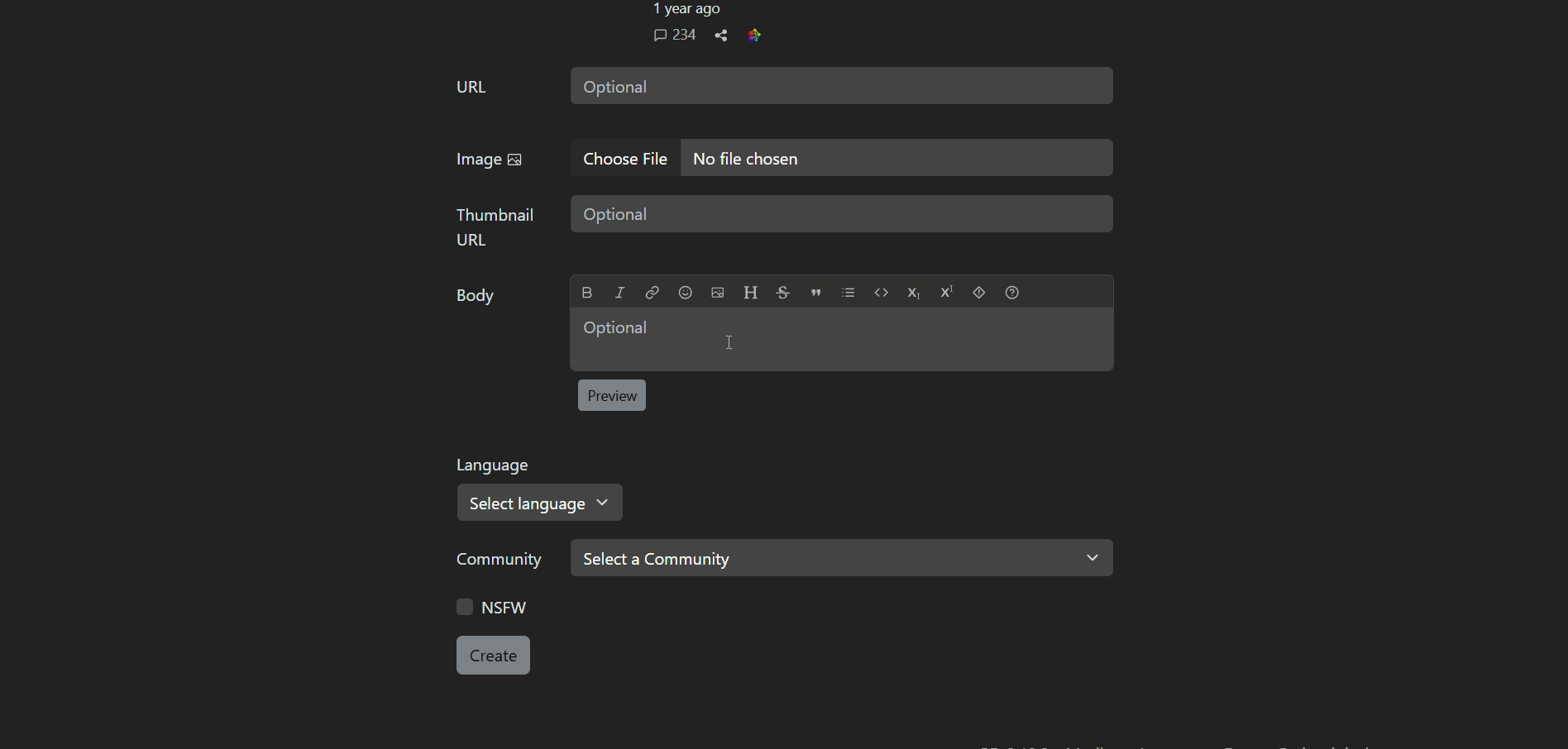 The image size is (1568, 749). Describe the element at coordinates (896, 159) in the screenshot. I see `text box` at that location.